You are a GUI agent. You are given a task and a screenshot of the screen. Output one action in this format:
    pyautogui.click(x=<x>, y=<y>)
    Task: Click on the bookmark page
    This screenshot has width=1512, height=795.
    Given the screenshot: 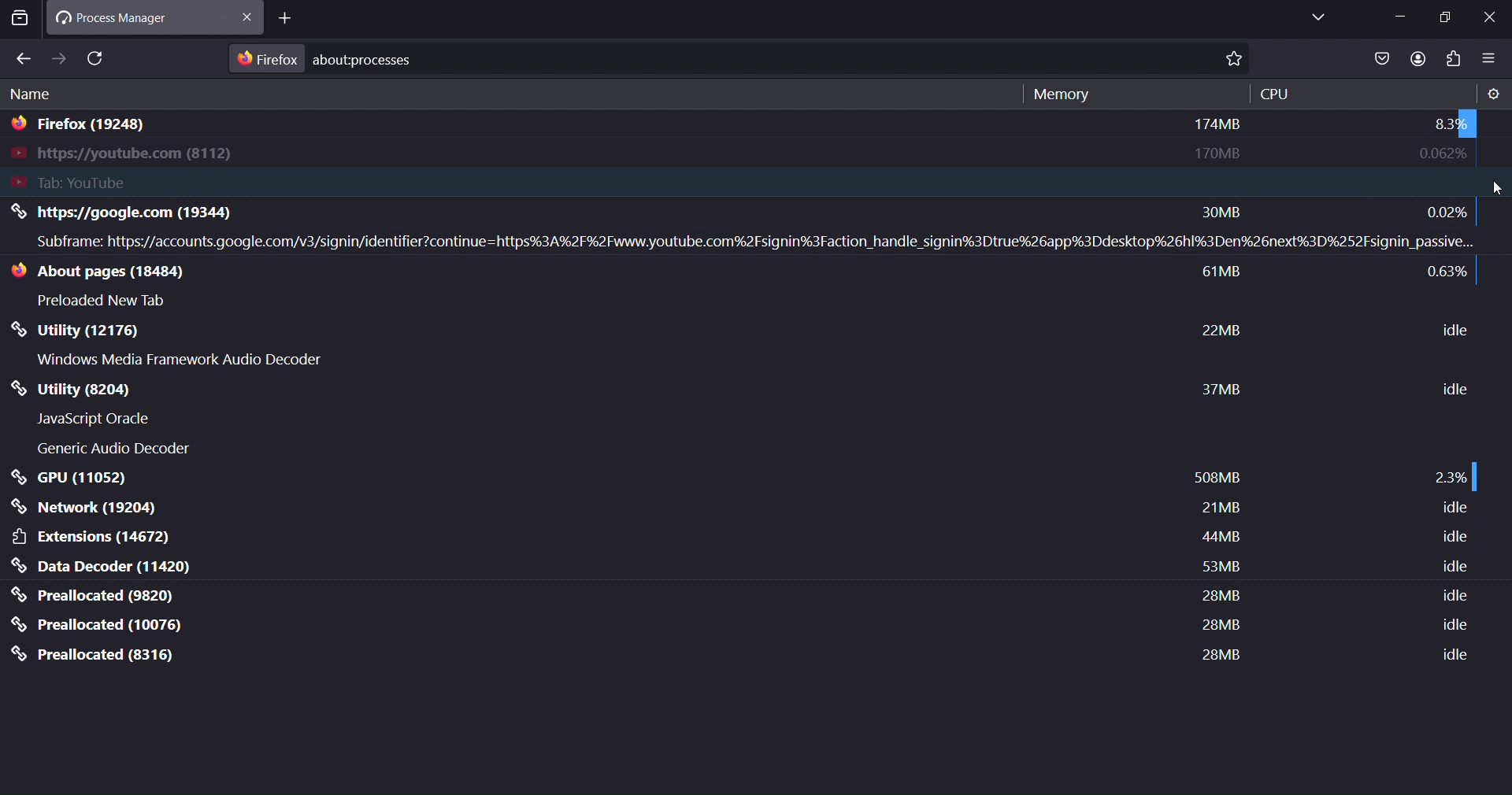 What is the action you would take?
    pyautogui.click(x=1239, y=60)
    